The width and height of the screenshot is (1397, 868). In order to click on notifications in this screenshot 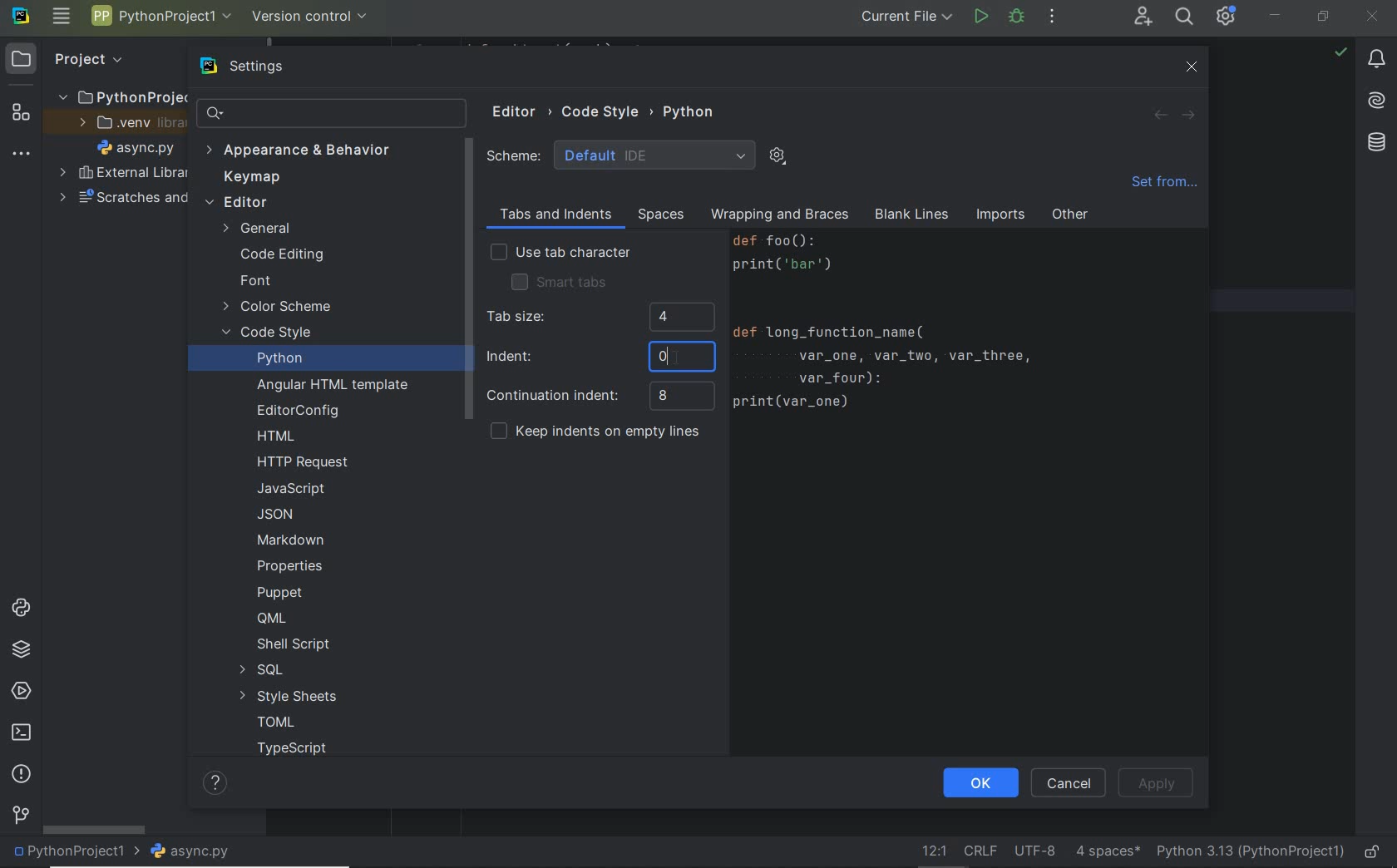, I will do `click(1376, 60)`.